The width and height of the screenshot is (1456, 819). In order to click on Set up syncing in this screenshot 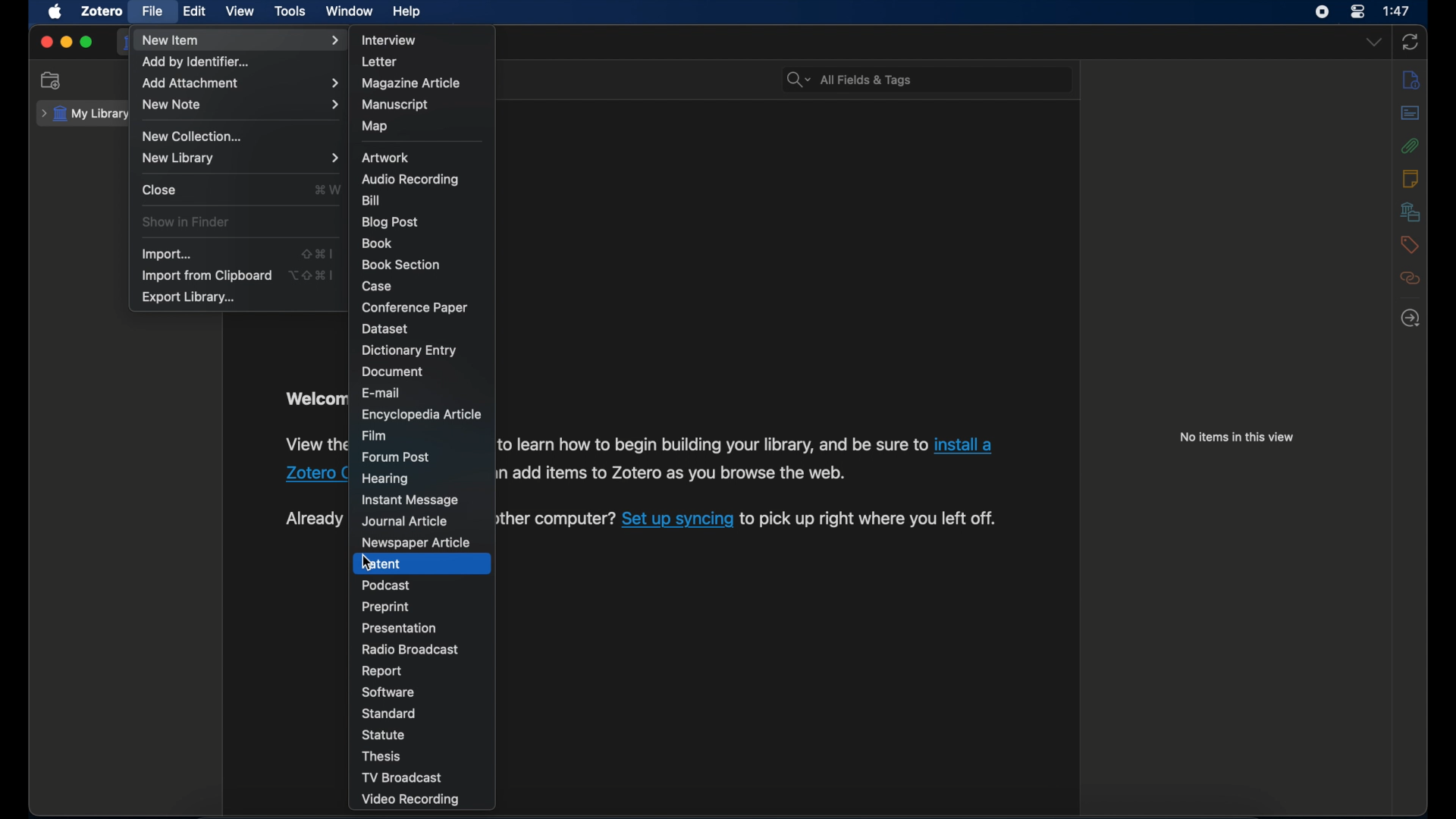, I will do `click(677, 519)`.